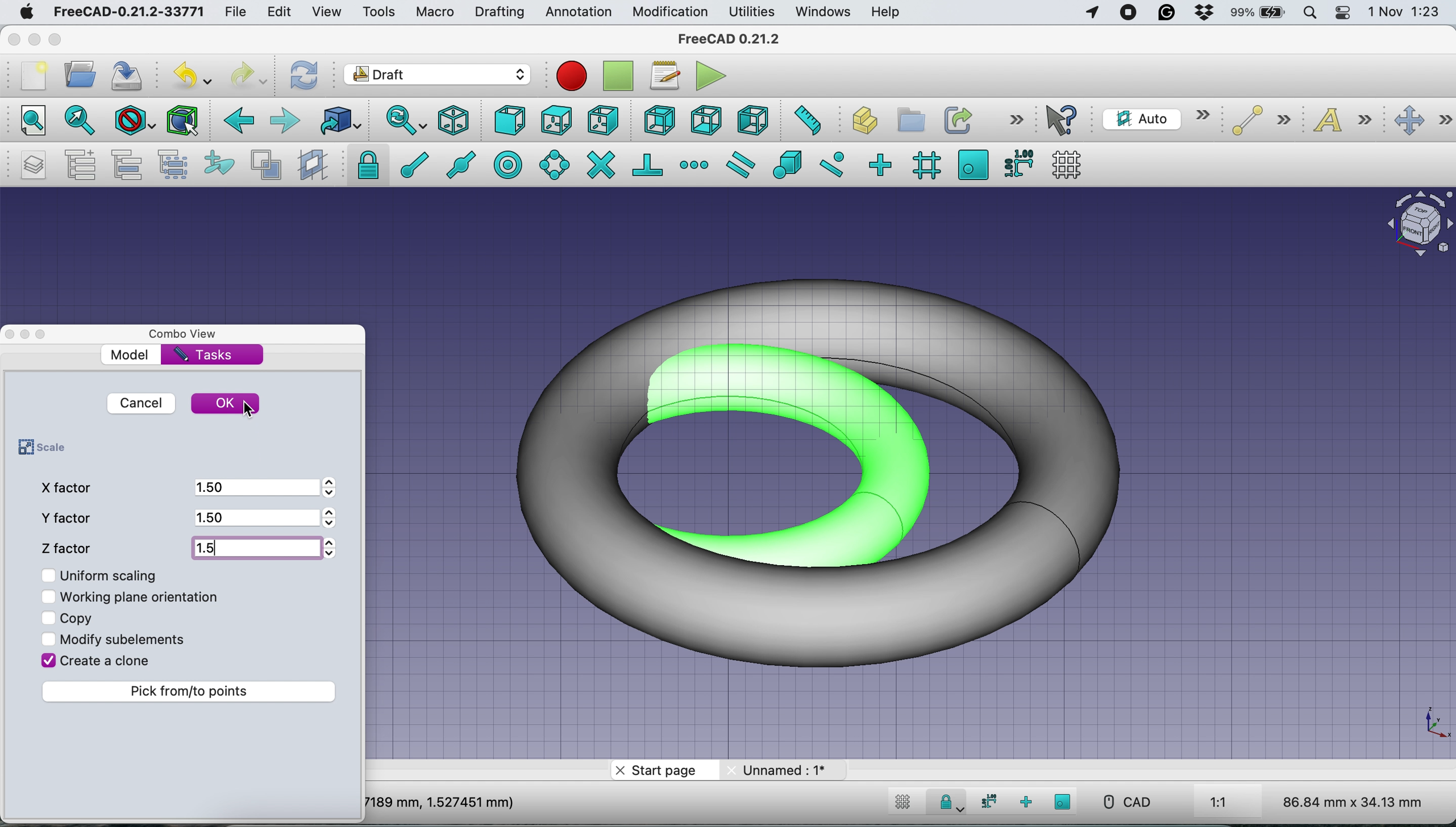 This screenshot has width=1456, height=827. I want to click on new, so click(32, 76).